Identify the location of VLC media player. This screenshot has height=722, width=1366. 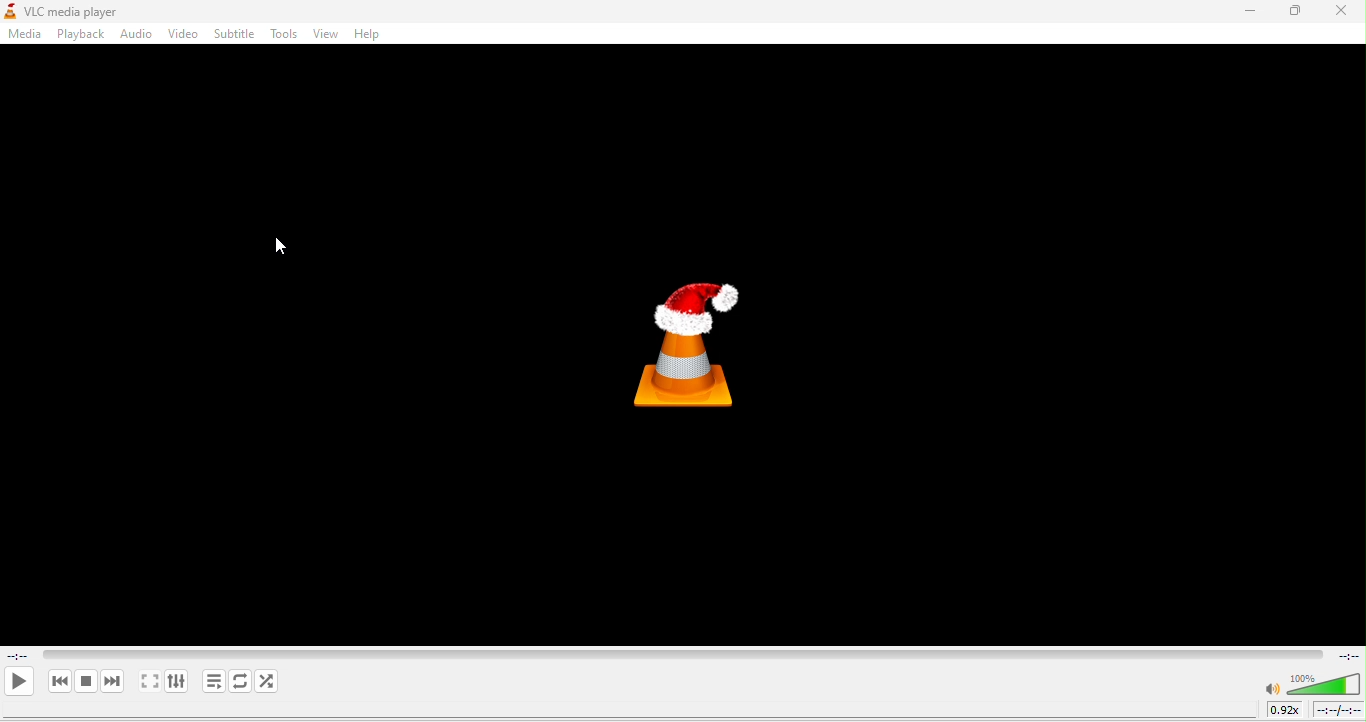
(84, 10).